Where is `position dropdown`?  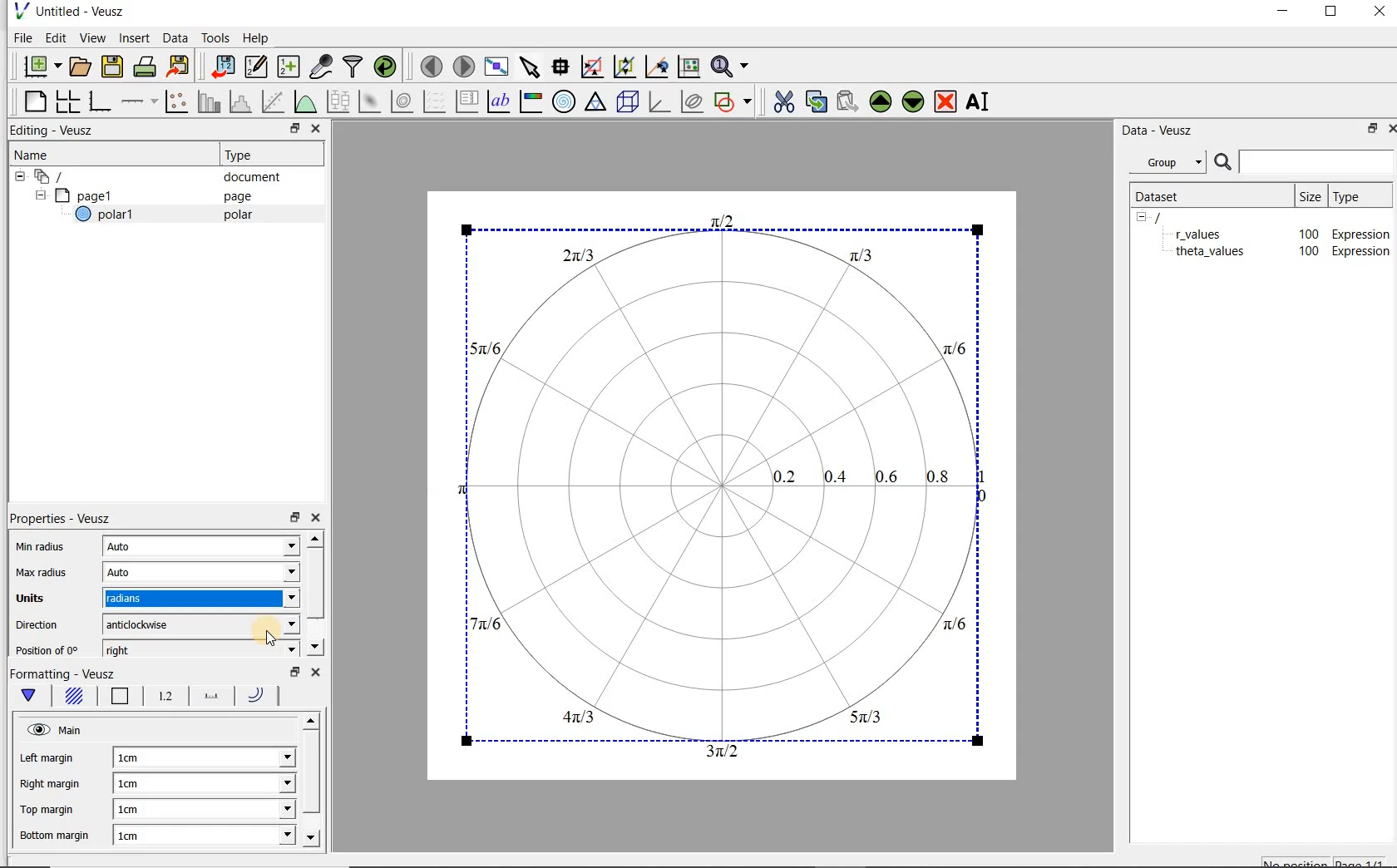
position dropdown is located at coordinates (269, 649).